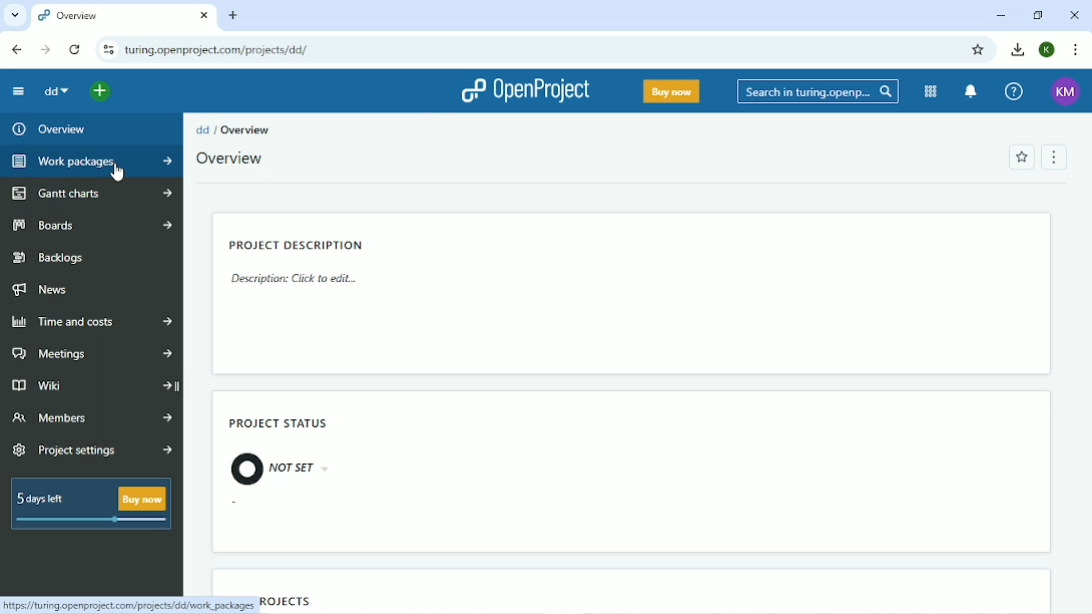 This screenshot has height=614, width=1092. What do you see at coordinates (55, 128) in the screenshot?
I see `Overview` at bounding box center [55, 128].